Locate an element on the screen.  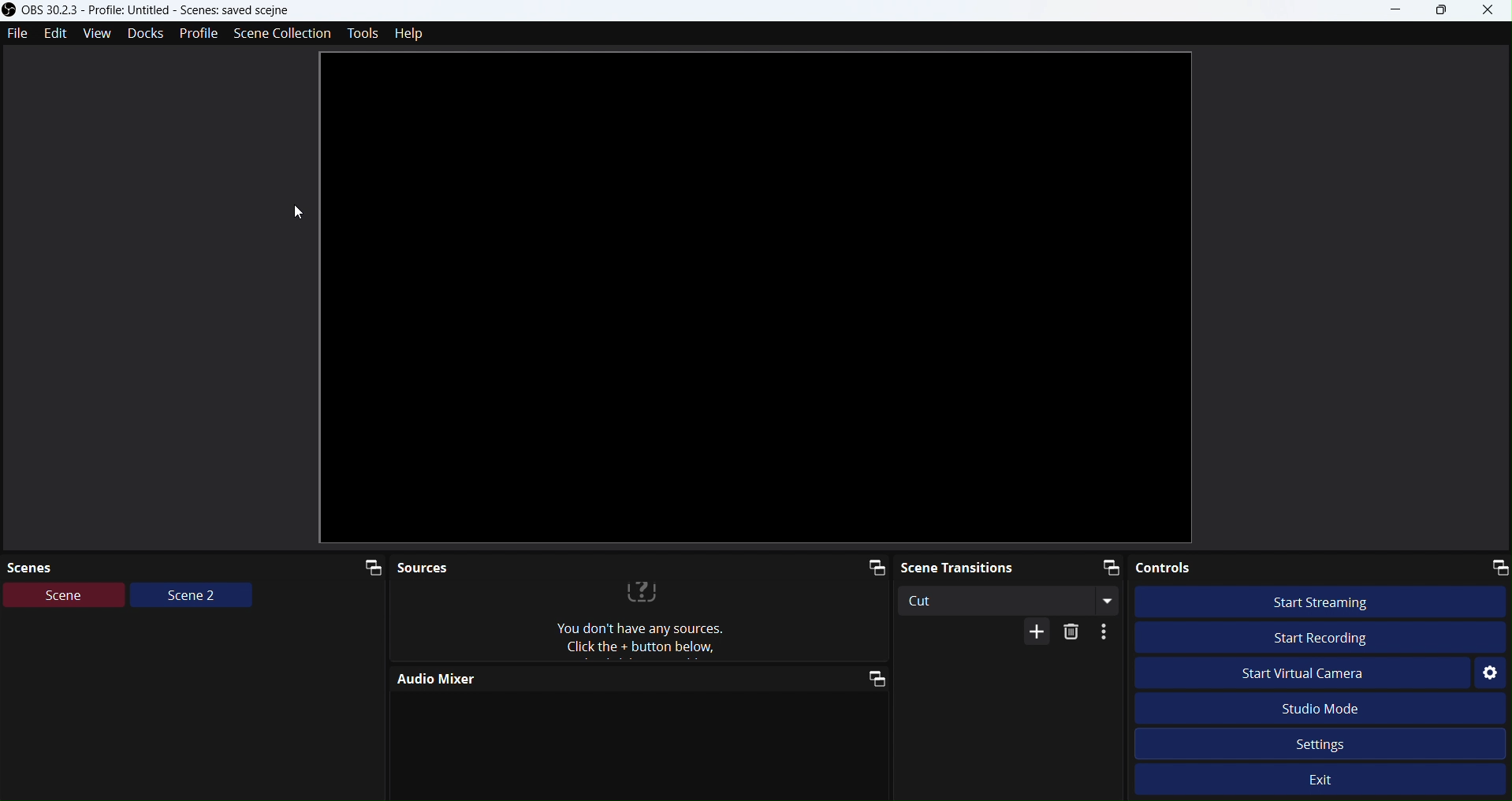
Scene transitions is located at coordinates (1013, 567).